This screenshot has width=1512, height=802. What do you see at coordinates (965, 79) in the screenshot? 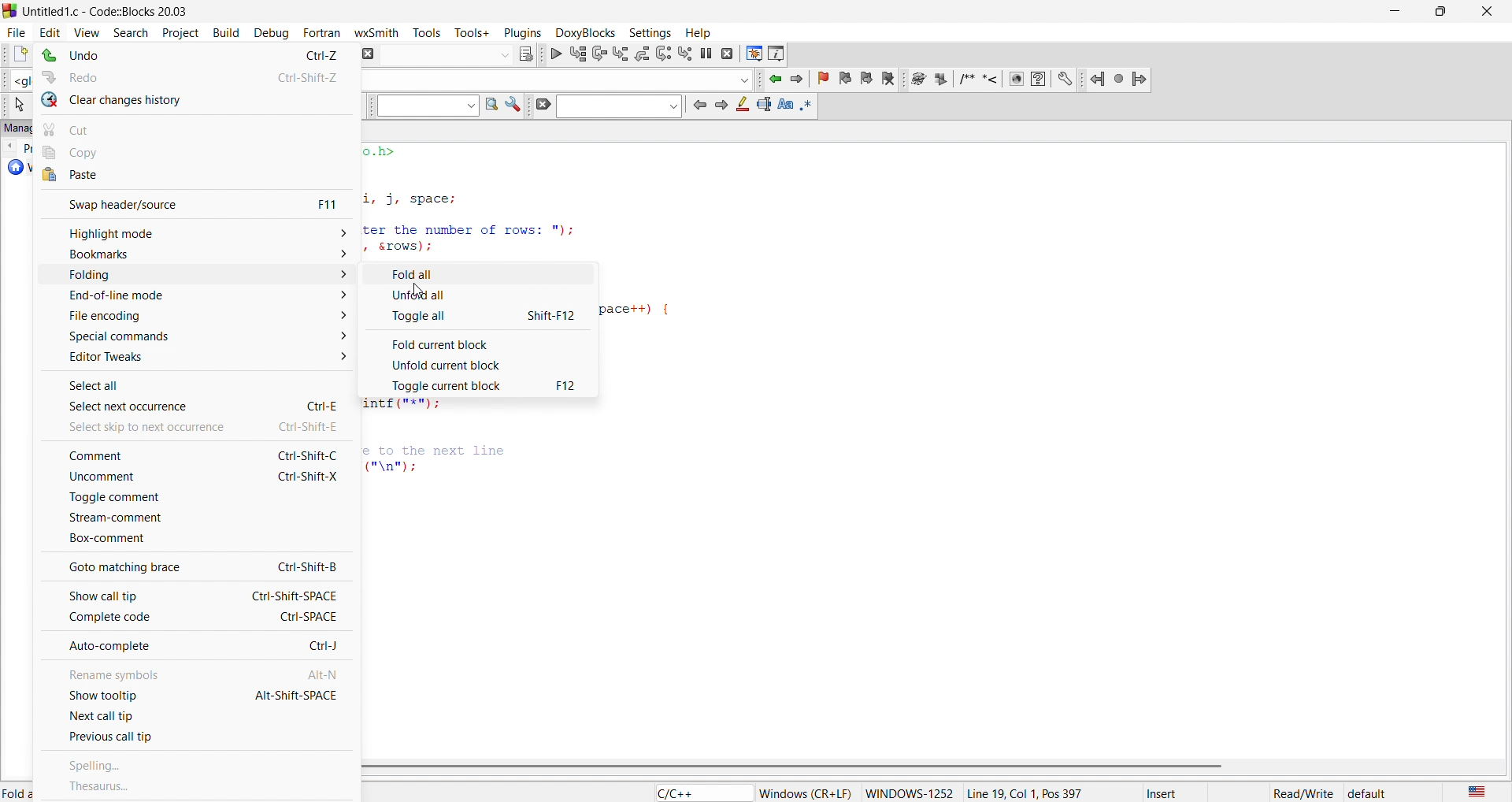
I see `insert comment box` at bounding box center [965, 79].